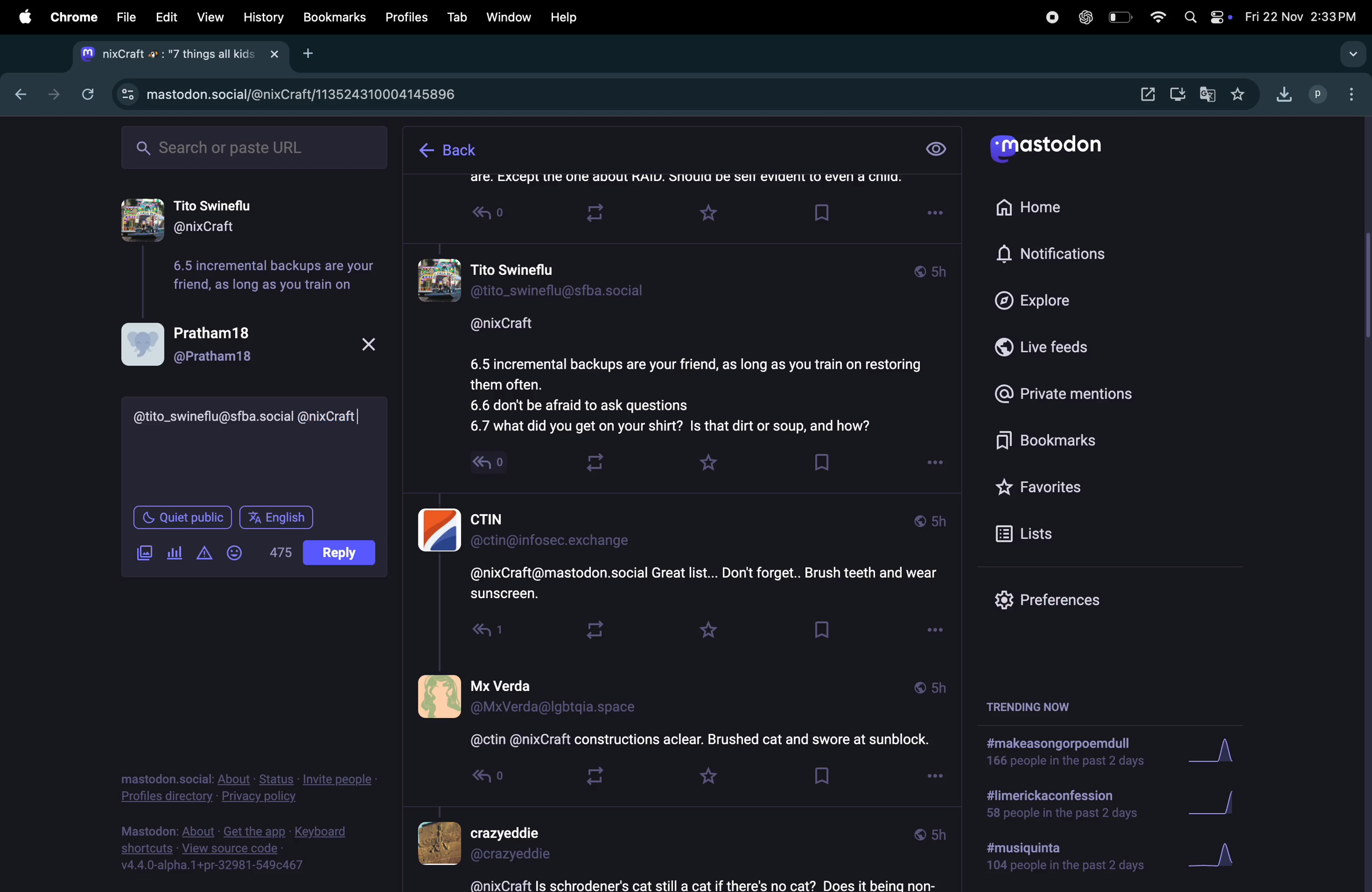  I want to click on back, so click(446, 152).